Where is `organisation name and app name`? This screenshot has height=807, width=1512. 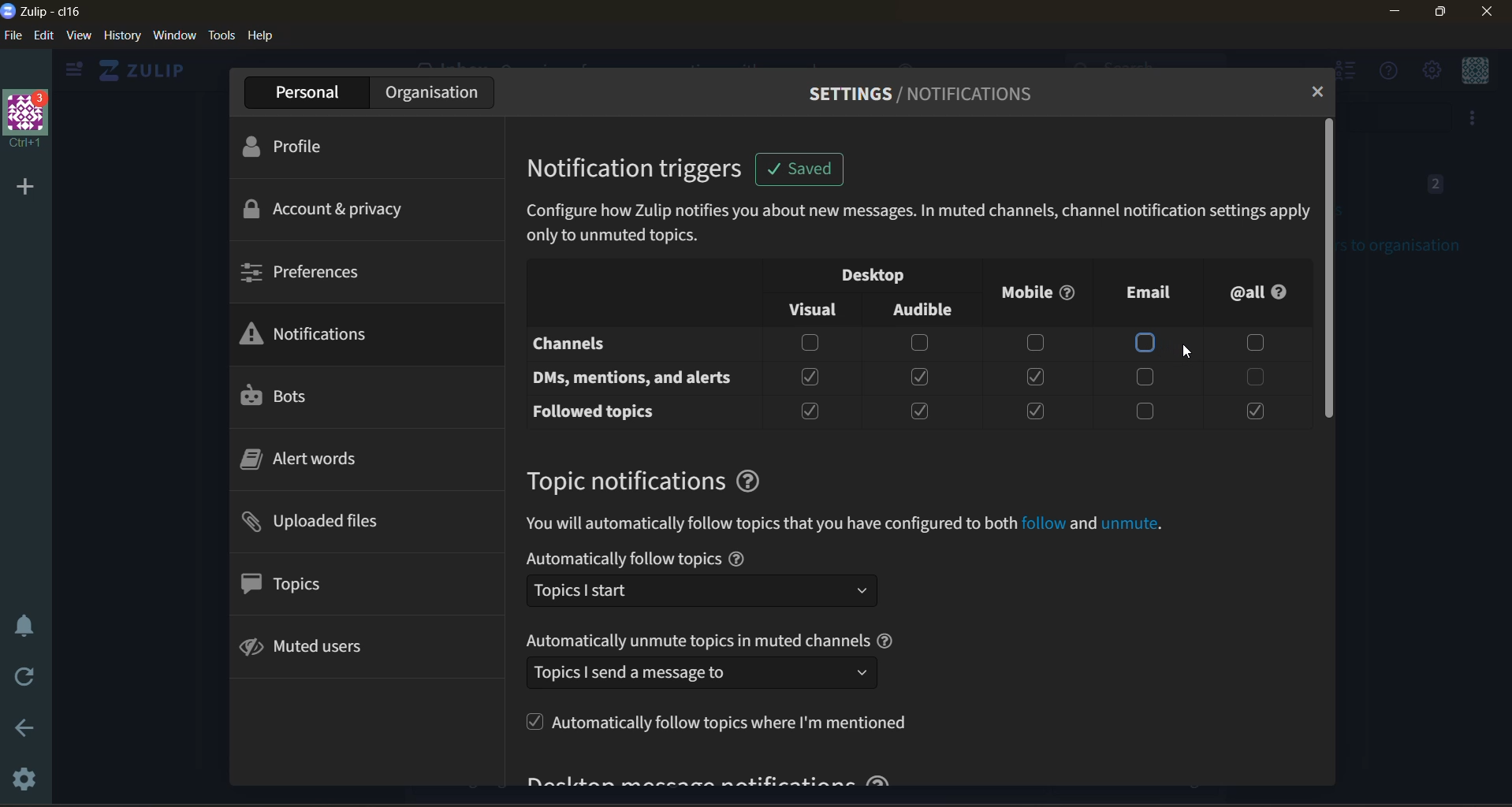
organisation name and app name is located at coordinates (50, 10).